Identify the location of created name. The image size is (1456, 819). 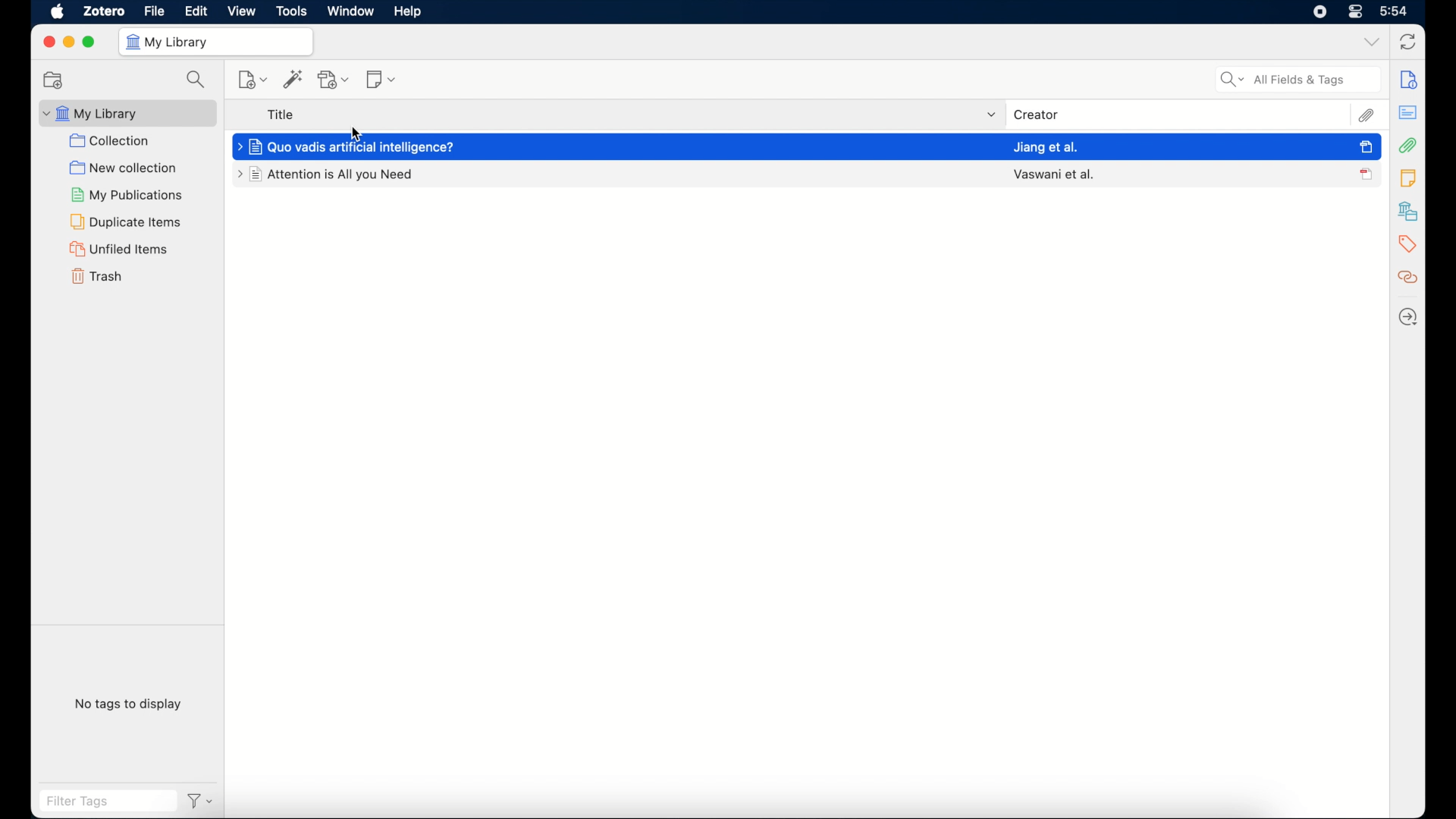
(1046, 146).